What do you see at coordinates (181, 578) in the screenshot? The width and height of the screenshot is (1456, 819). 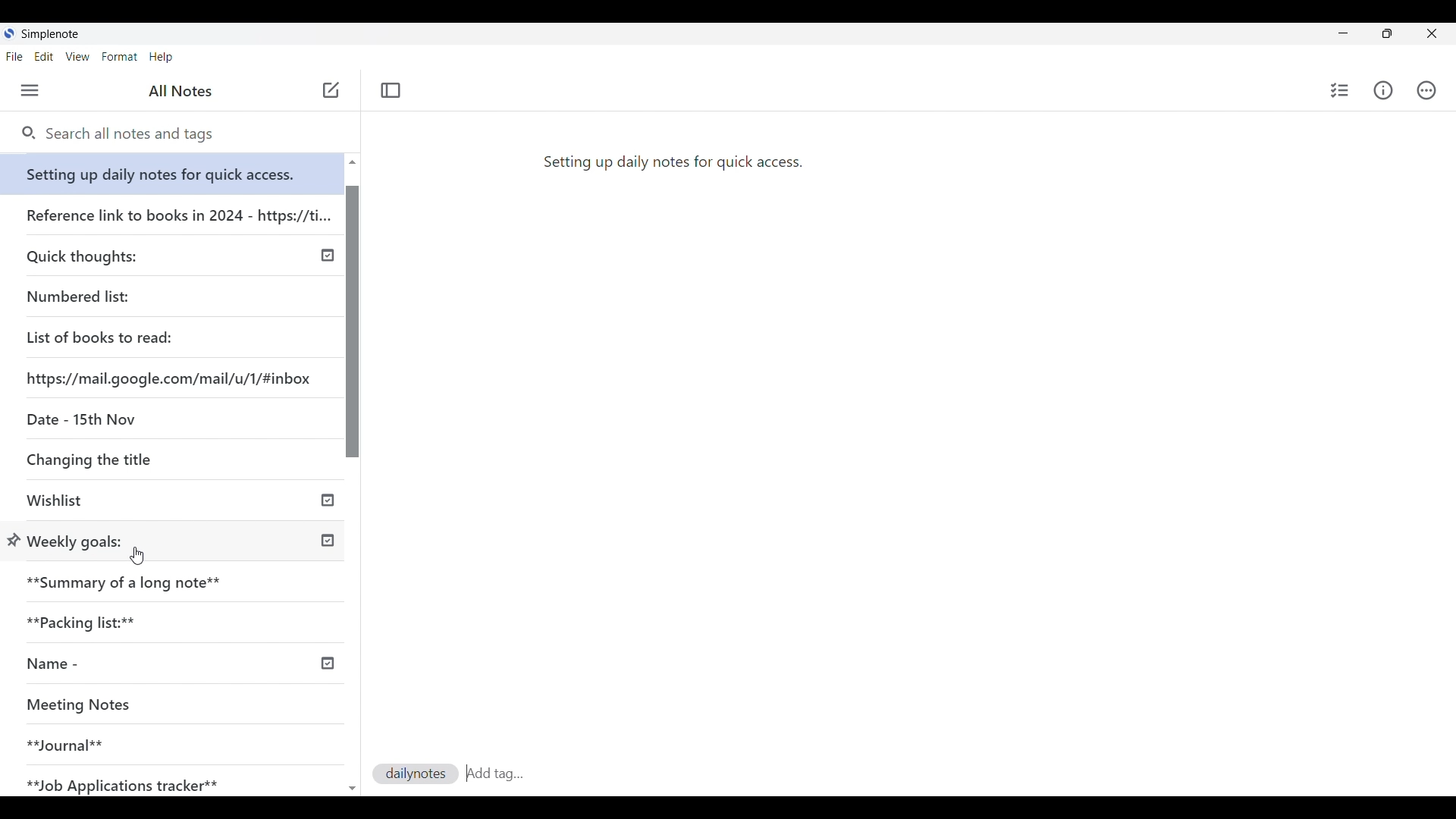 I see `Summary` at bounding box center [181, 578].